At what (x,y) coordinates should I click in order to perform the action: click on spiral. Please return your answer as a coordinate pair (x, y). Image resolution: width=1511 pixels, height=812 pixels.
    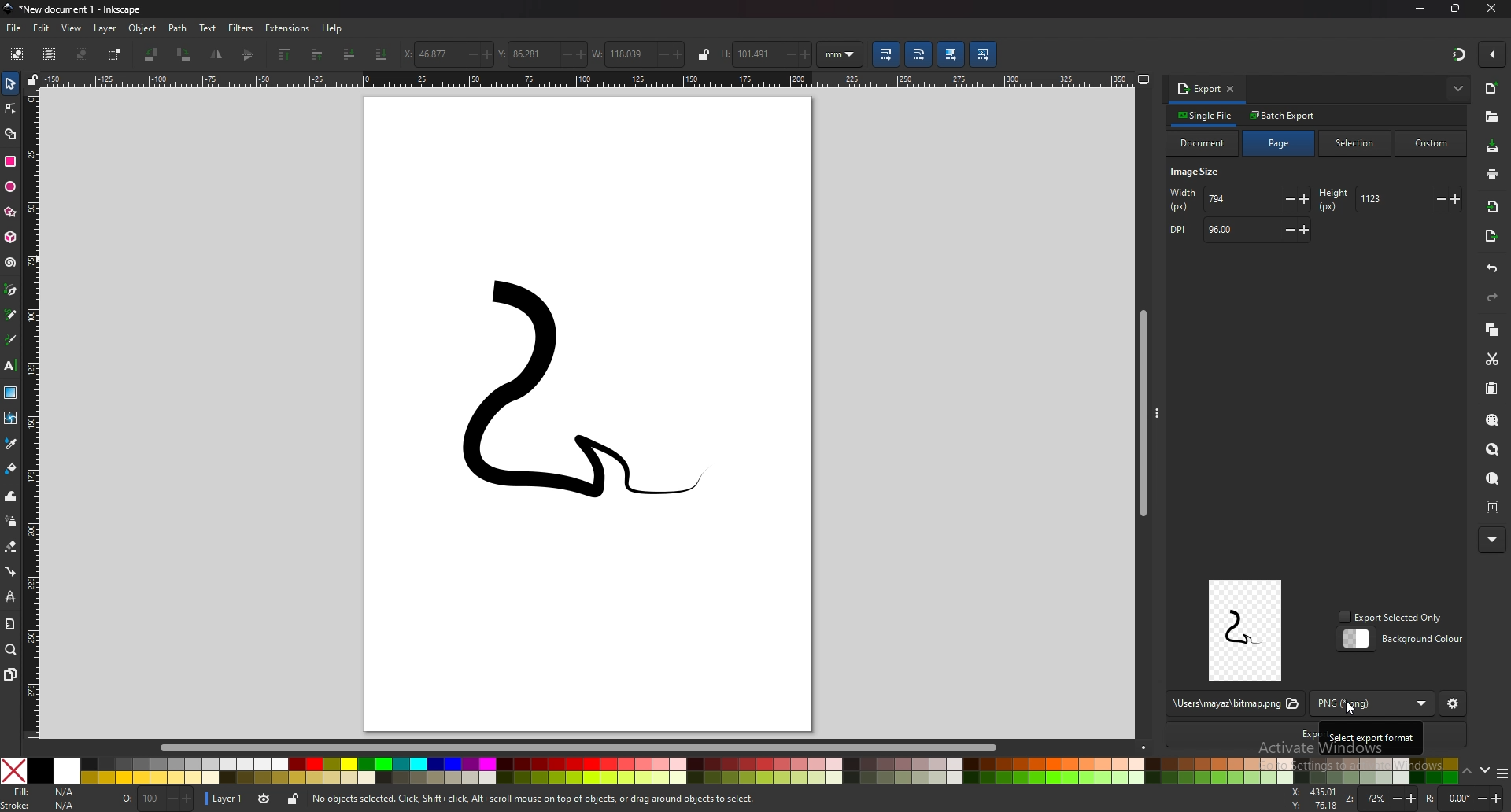
    Looking at the image, I should click on (12, 263).